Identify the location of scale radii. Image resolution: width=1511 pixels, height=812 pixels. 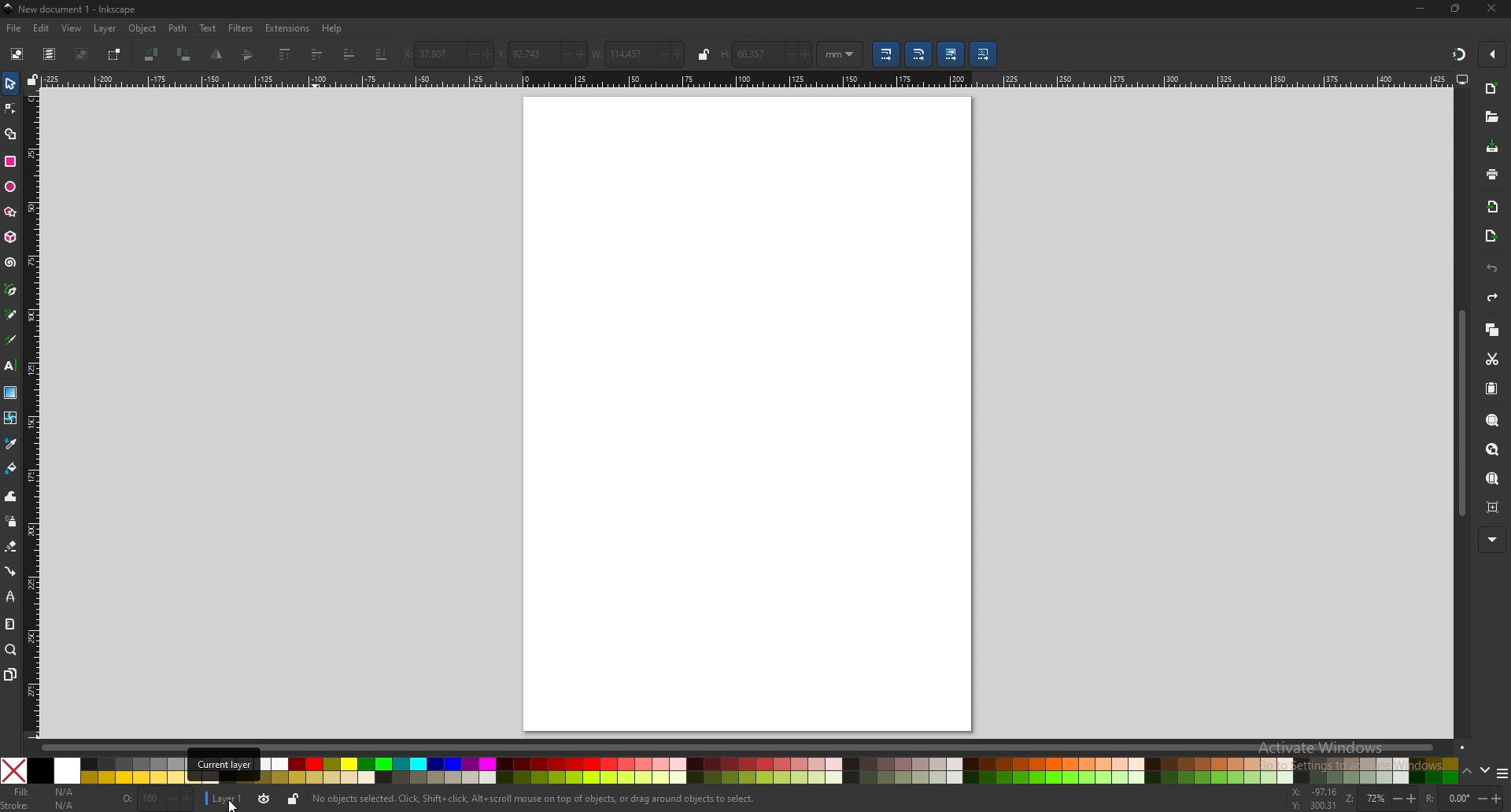
(919, 54).